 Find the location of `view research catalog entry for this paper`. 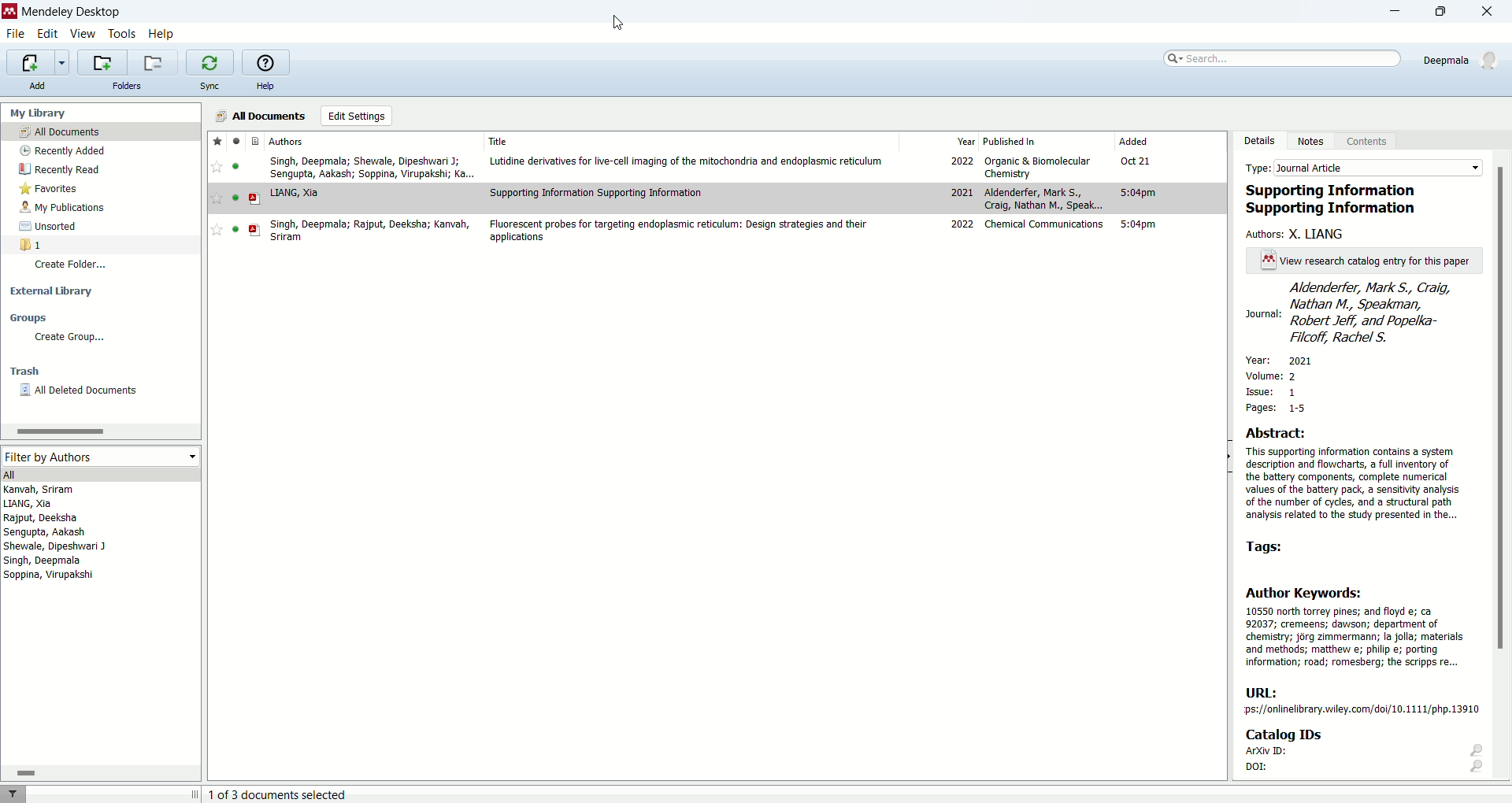

view research catalog entry for this paper is located at coordinates (1360, 261).